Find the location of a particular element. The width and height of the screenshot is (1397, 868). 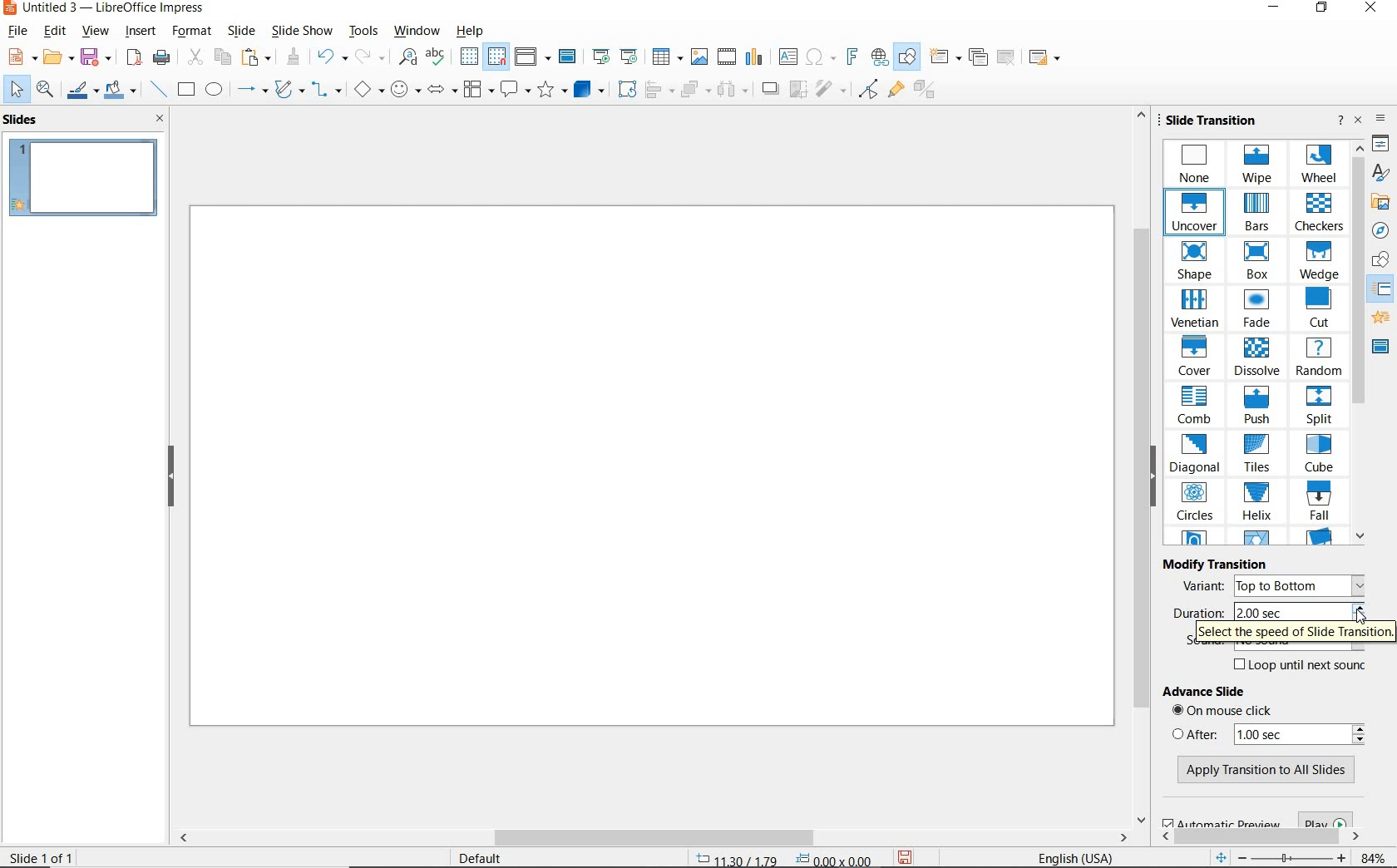

BARS is located at coordinates (1259, 214).